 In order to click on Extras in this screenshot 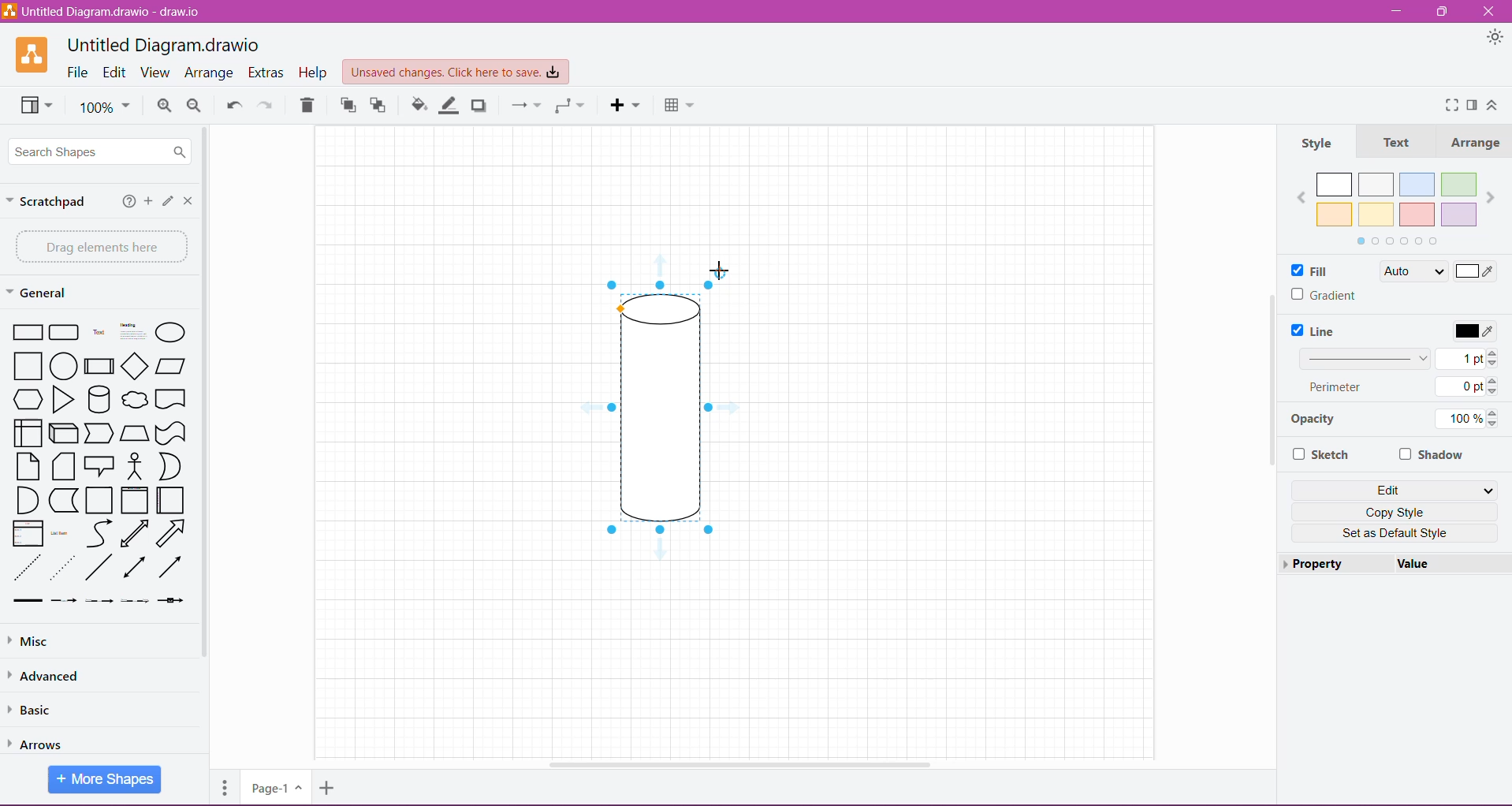, I will do `click(266, 72)`.